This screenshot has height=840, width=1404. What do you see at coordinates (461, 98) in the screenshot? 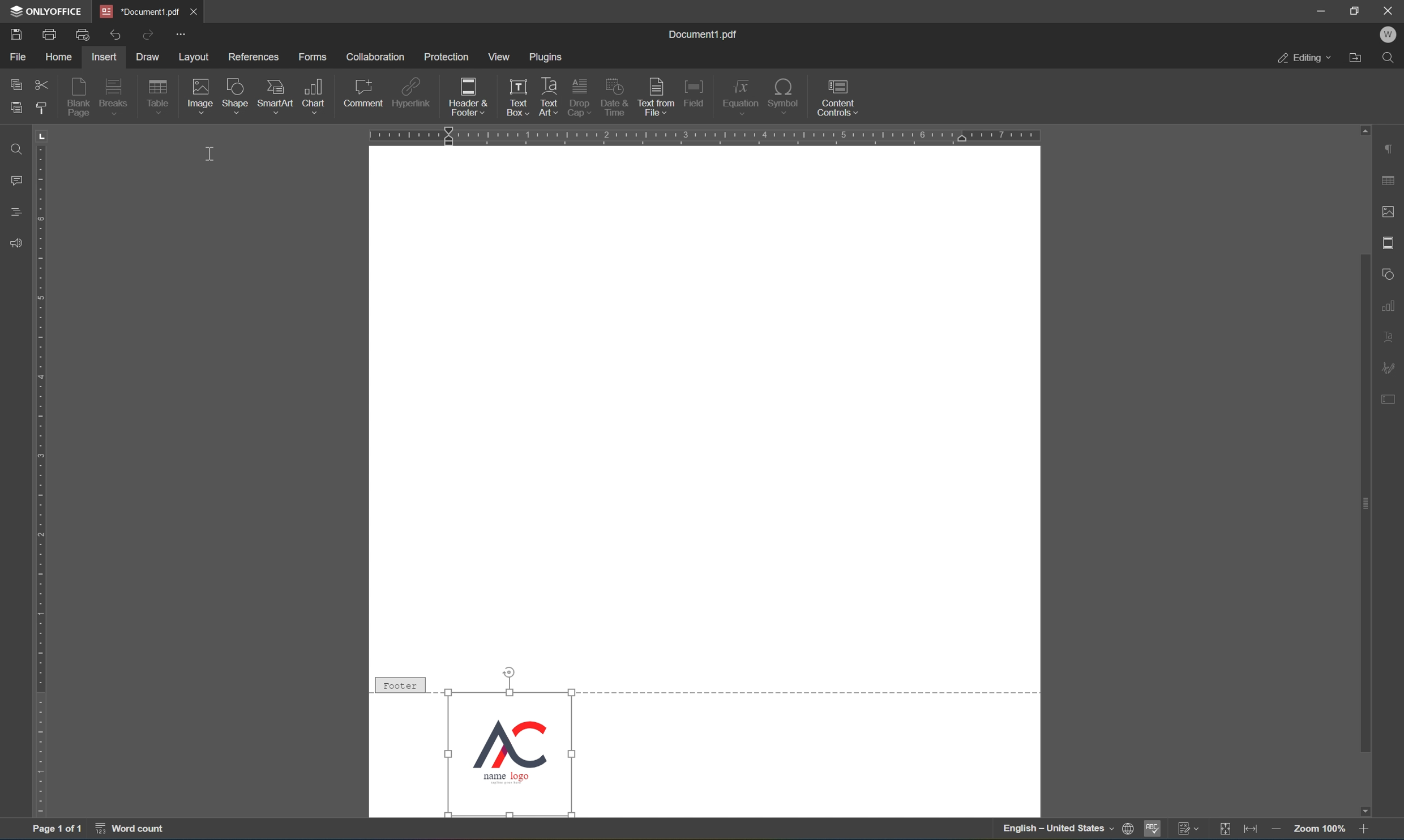
I see `header & footer` at bounding box center [461, 98].